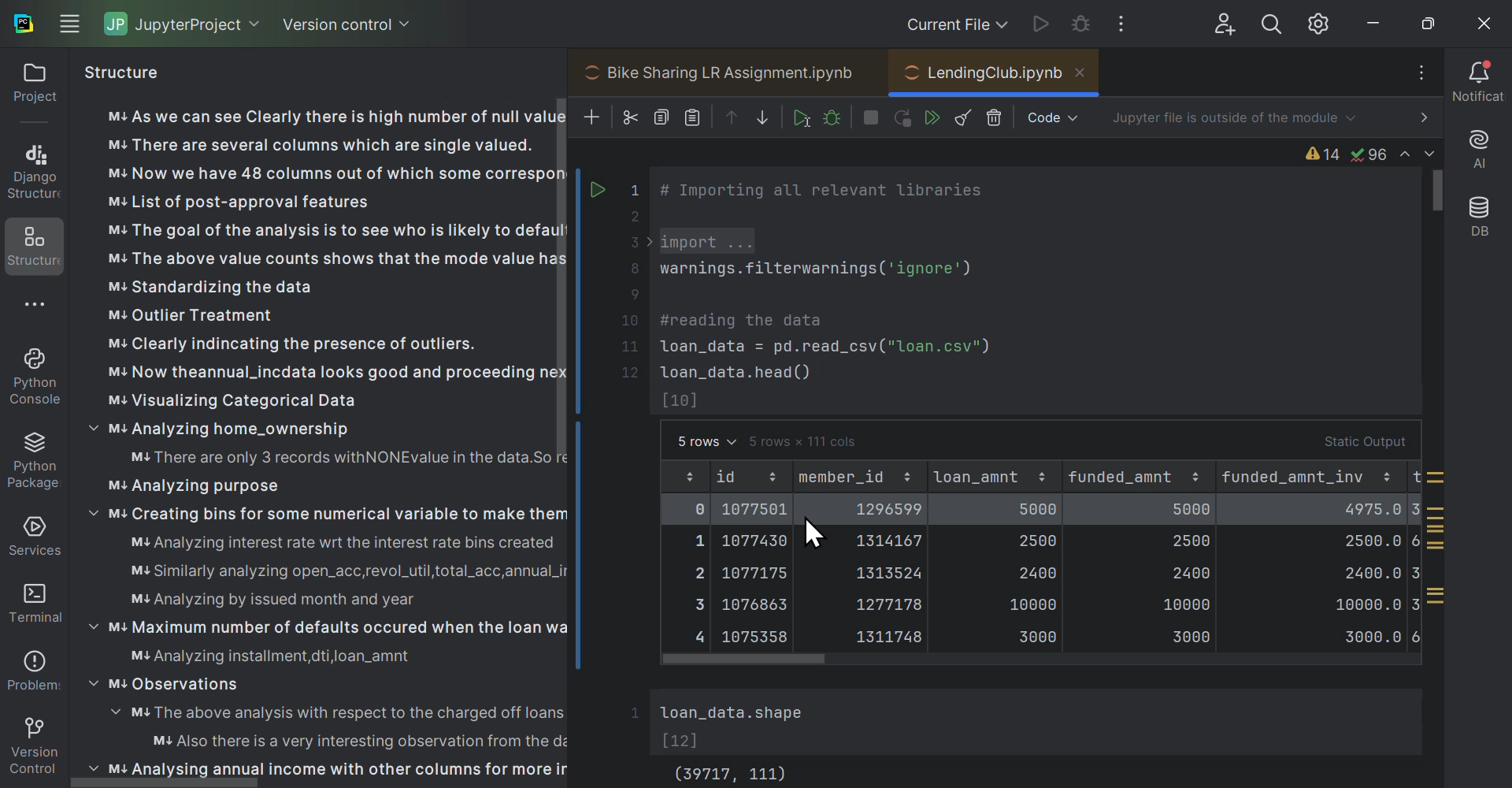 This screenshot has height=788, width=1512. Describe the element at coordinates (732, 119) in the screenshot. I see `Move up` at that location.